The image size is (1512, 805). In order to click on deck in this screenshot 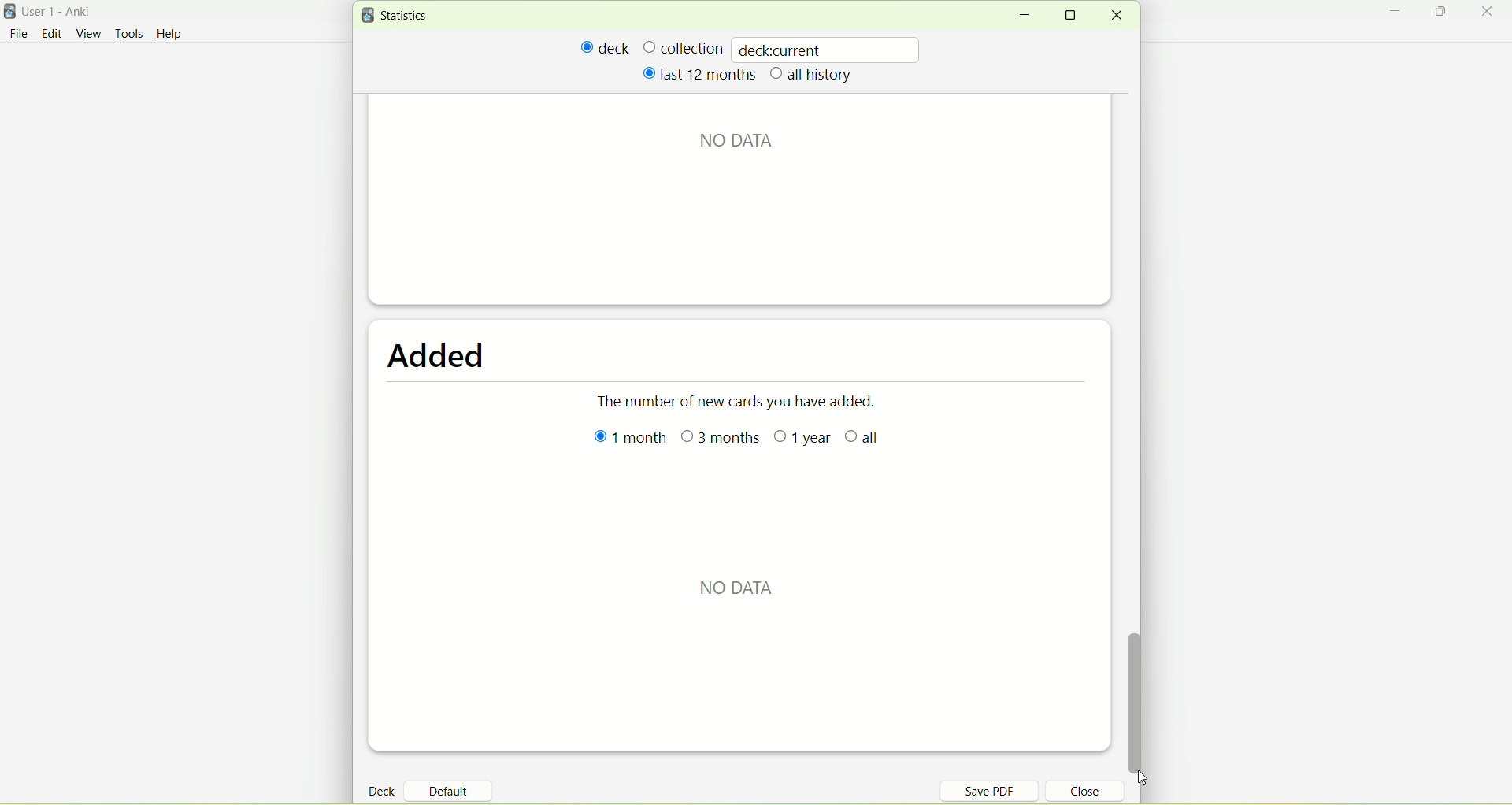, I will do `click(606, 47)`.